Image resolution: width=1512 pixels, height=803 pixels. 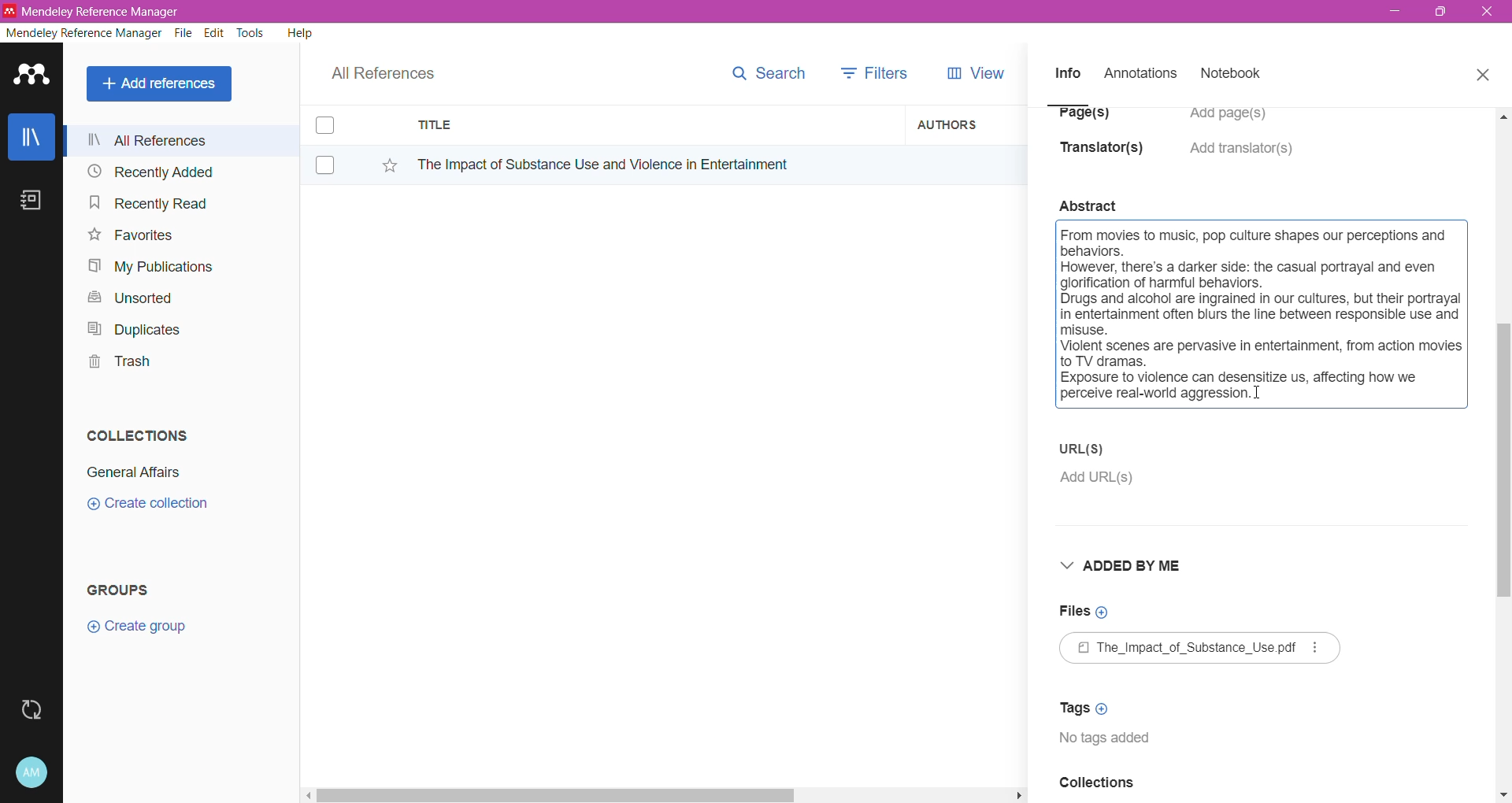 I want to click on Search, so click(x=768, y=70).